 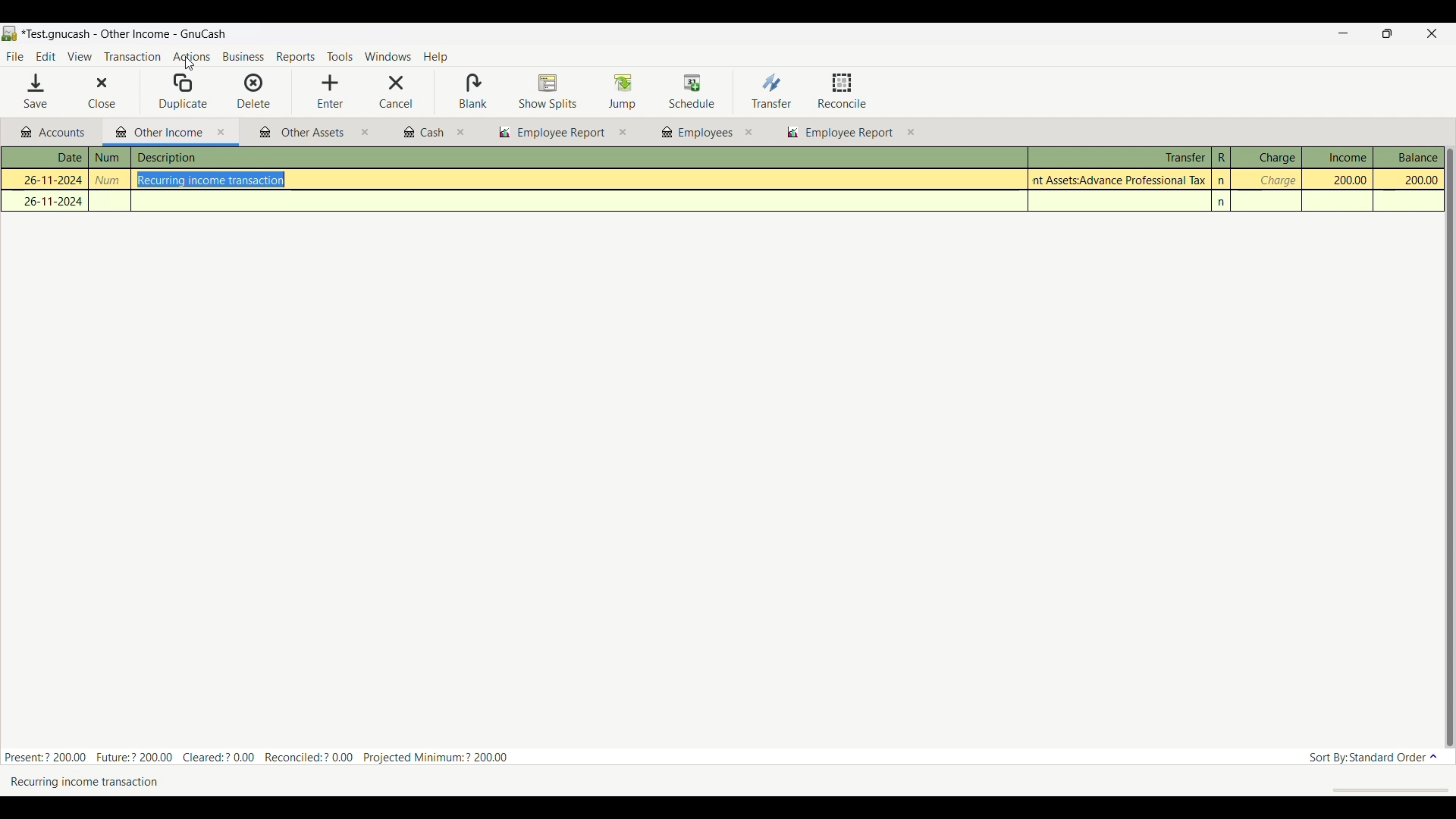 I want to click on other assets, so click(x=303, y=133).